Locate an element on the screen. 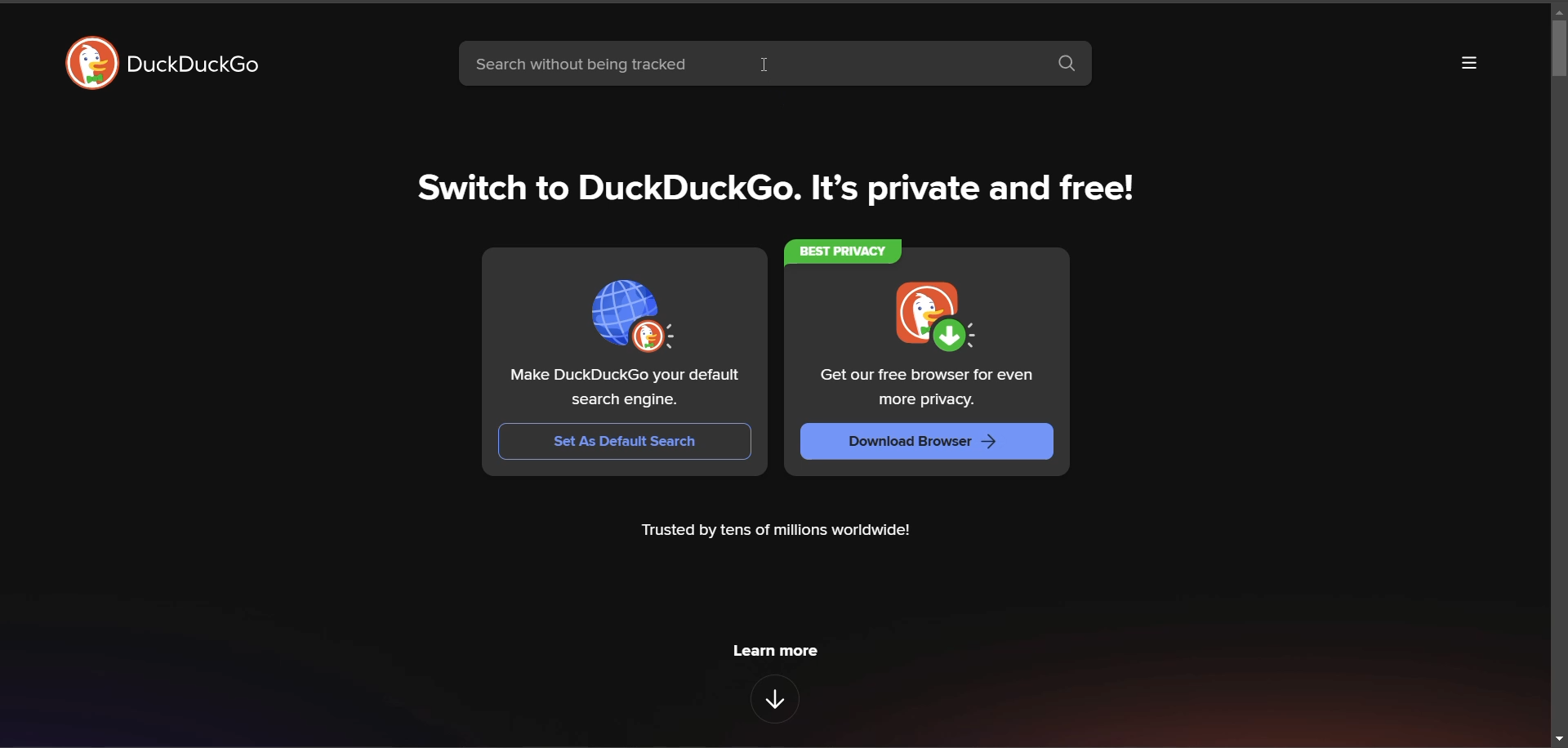 The height and width of the screenshot is (748, 1568). search bar is located at coordinates (744, 61).